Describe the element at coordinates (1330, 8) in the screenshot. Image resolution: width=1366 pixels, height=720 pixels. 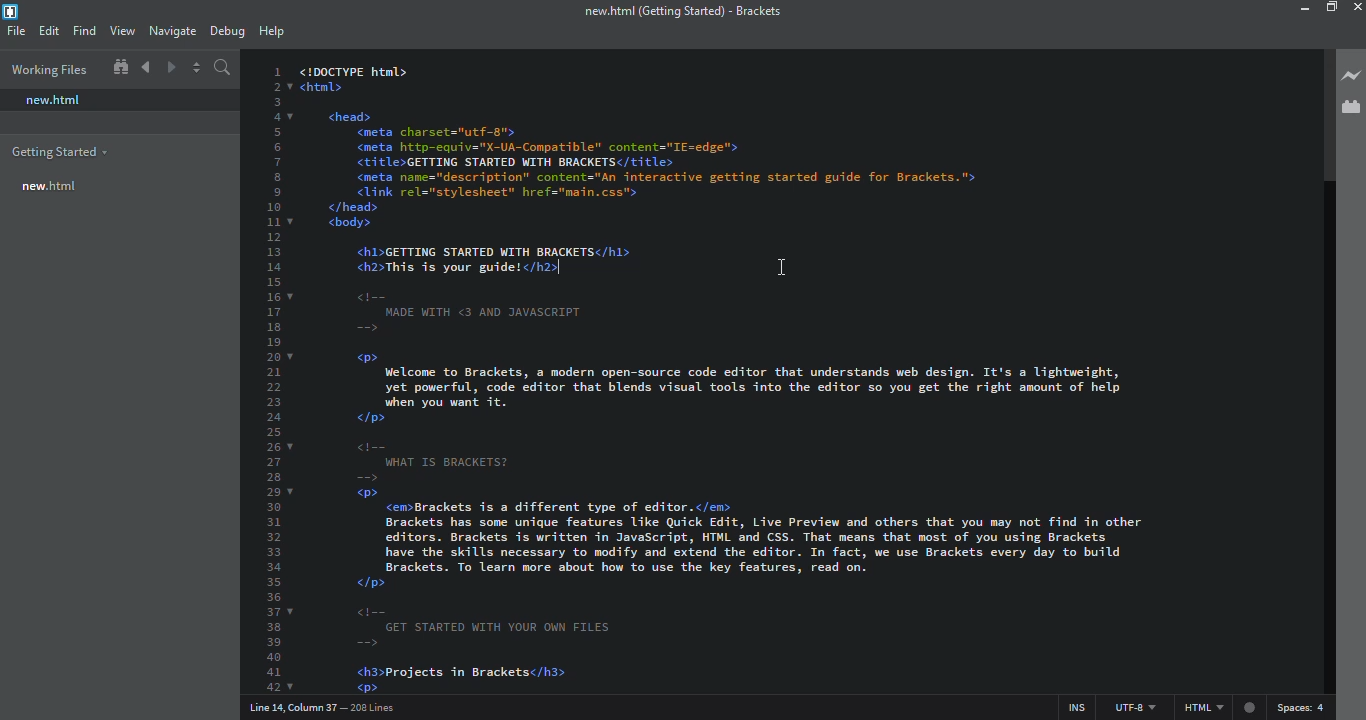
I see `maximize` at that location.